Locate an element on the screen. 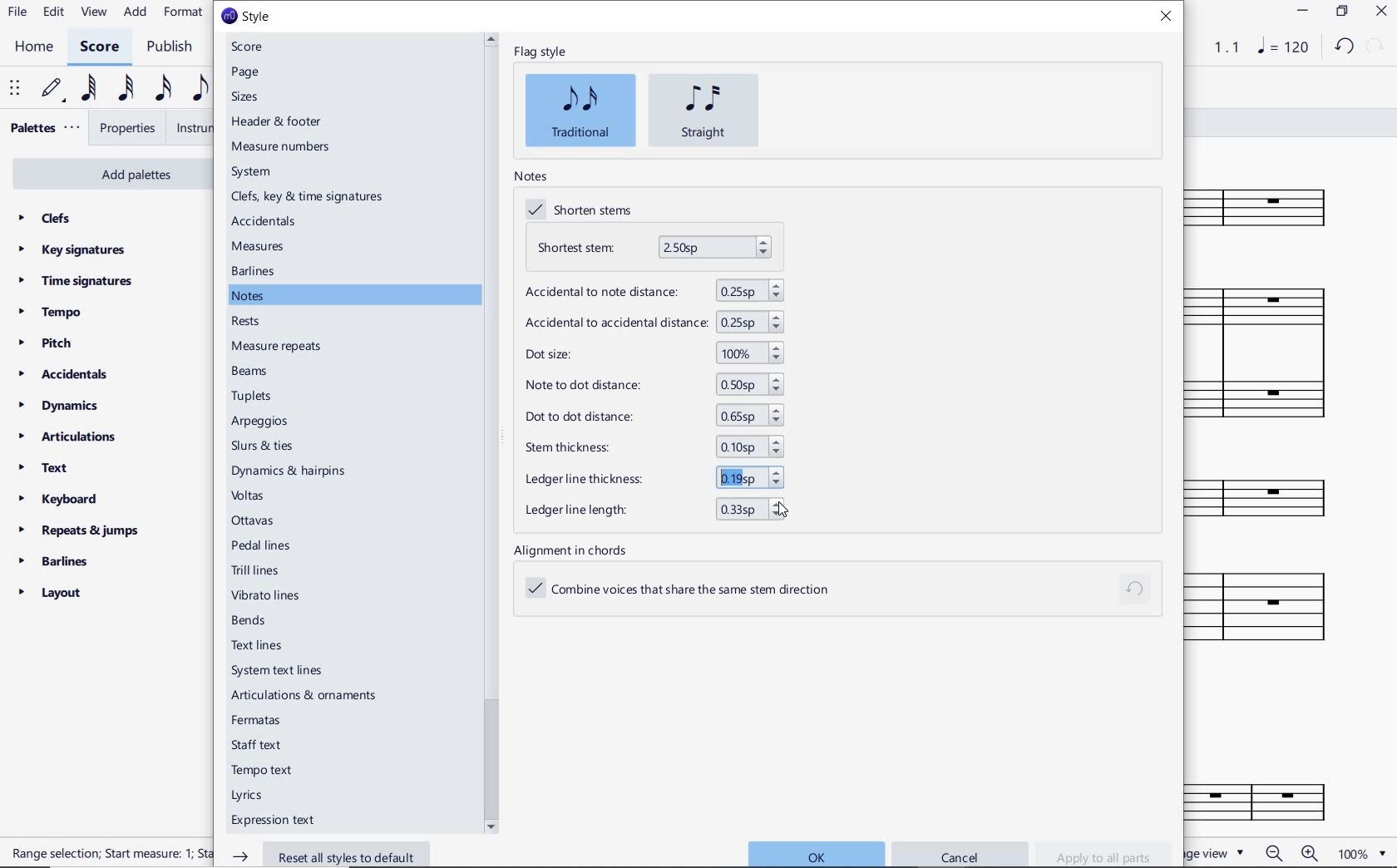 The height and width of the screenshot is (868, 1397). notes is located at coordinates (252, 296).